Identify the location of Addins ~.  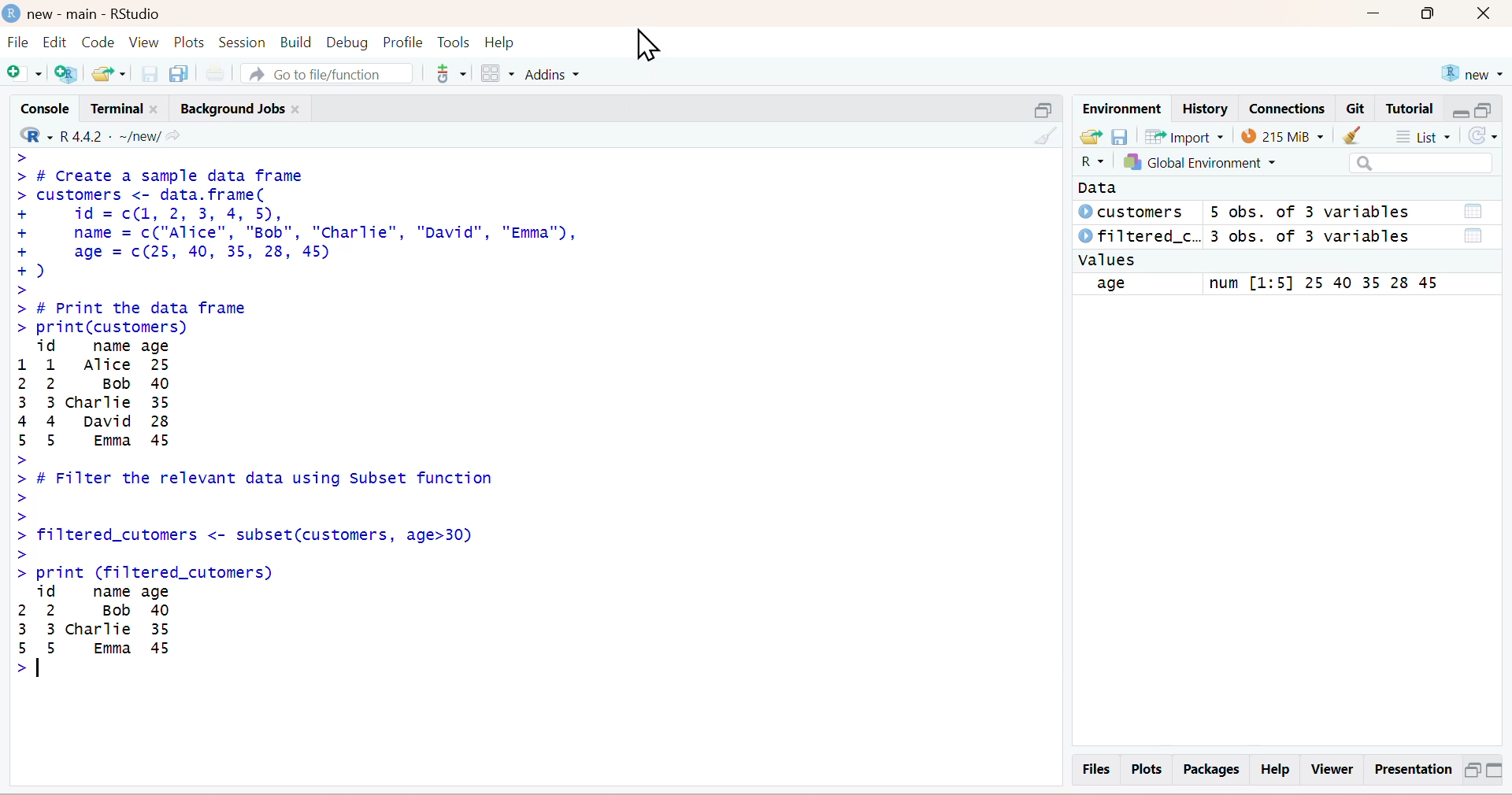
(554, 75).